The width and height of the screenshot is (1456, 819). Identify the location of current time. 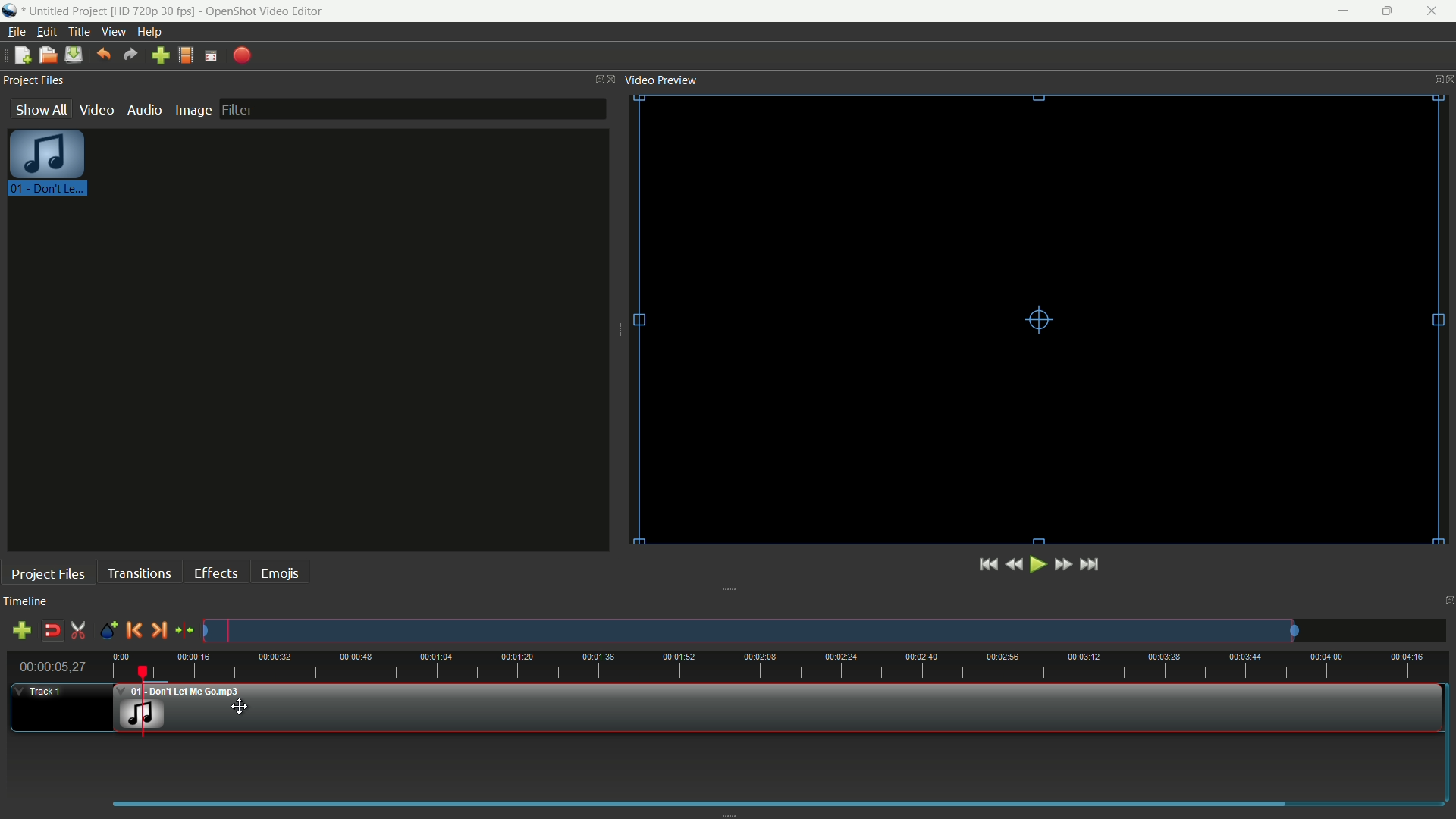
(52, 667).